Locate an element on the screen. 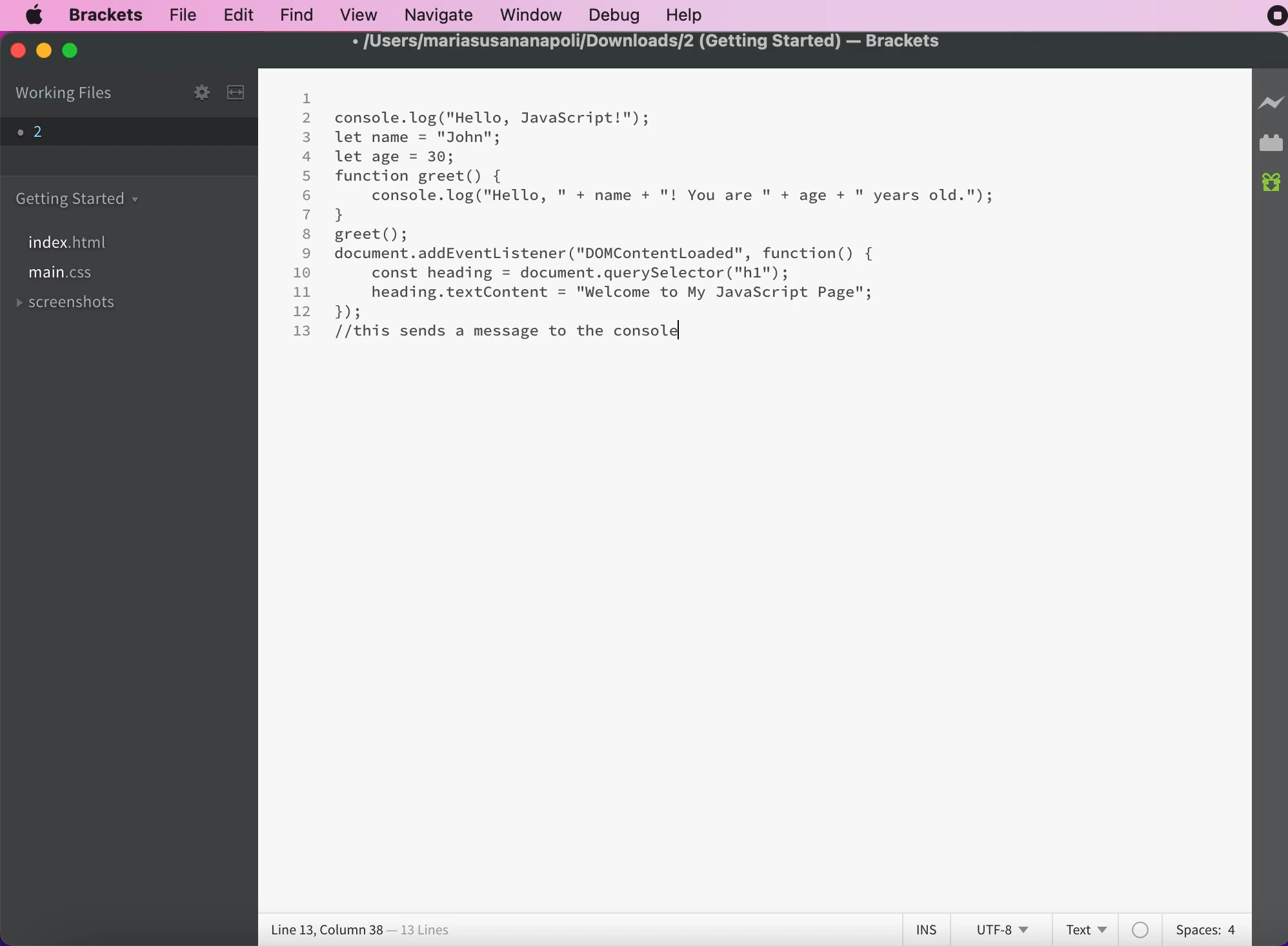 Image resolution: width=1288 pixels, height=946 pixels. close is located at coordinates (14, 52).